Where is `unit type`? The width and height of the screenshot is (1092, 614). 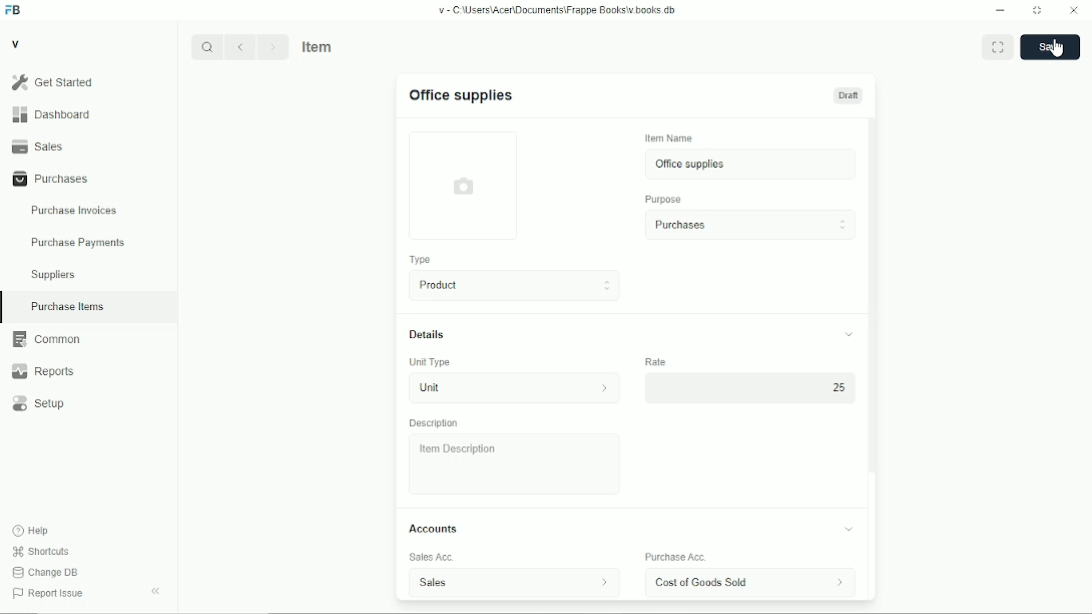
unit type is located at coordinates (430, 362).